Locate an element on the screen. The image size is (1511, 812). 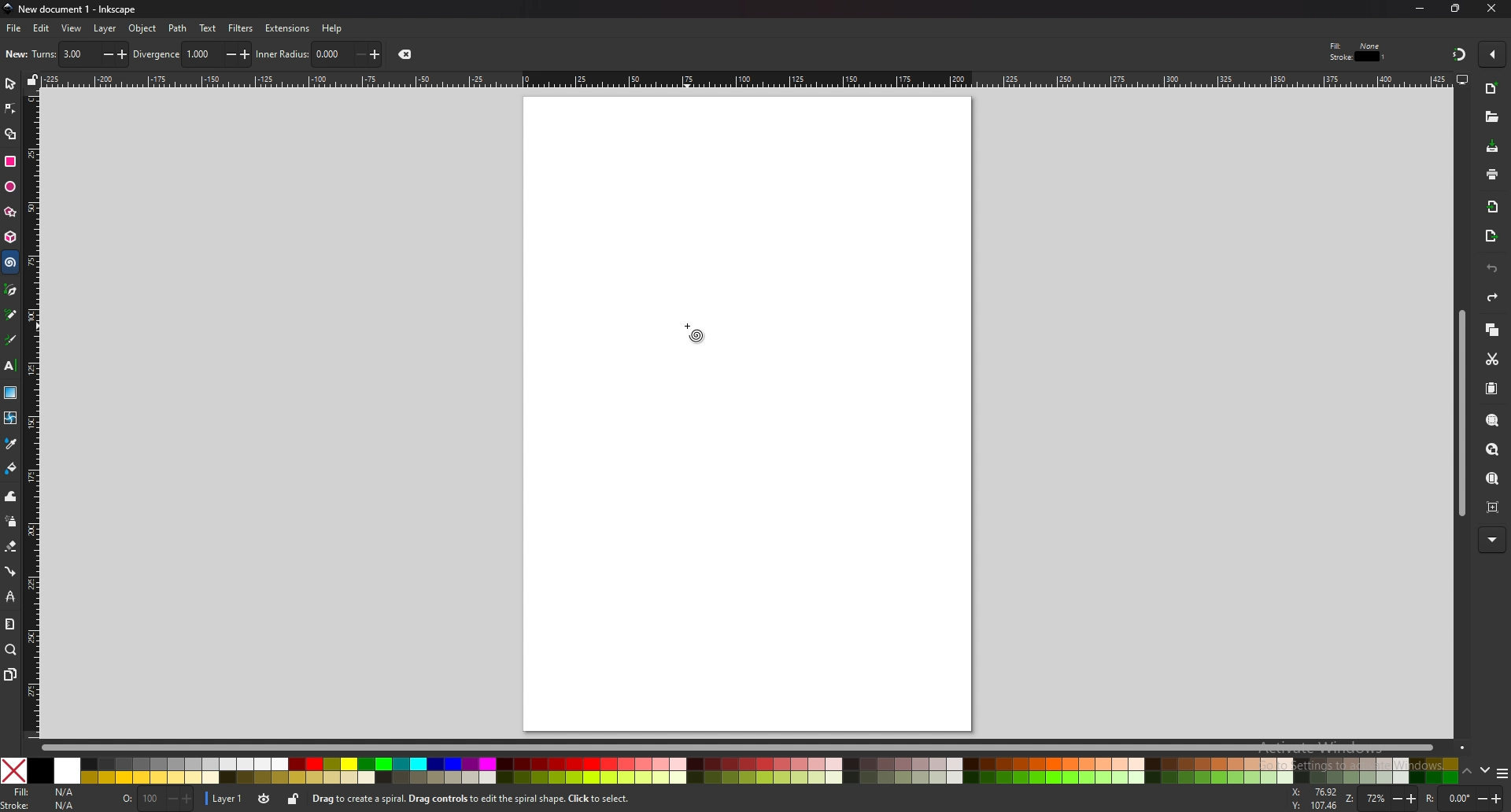
ellipse is located at coordinates (10, 186).